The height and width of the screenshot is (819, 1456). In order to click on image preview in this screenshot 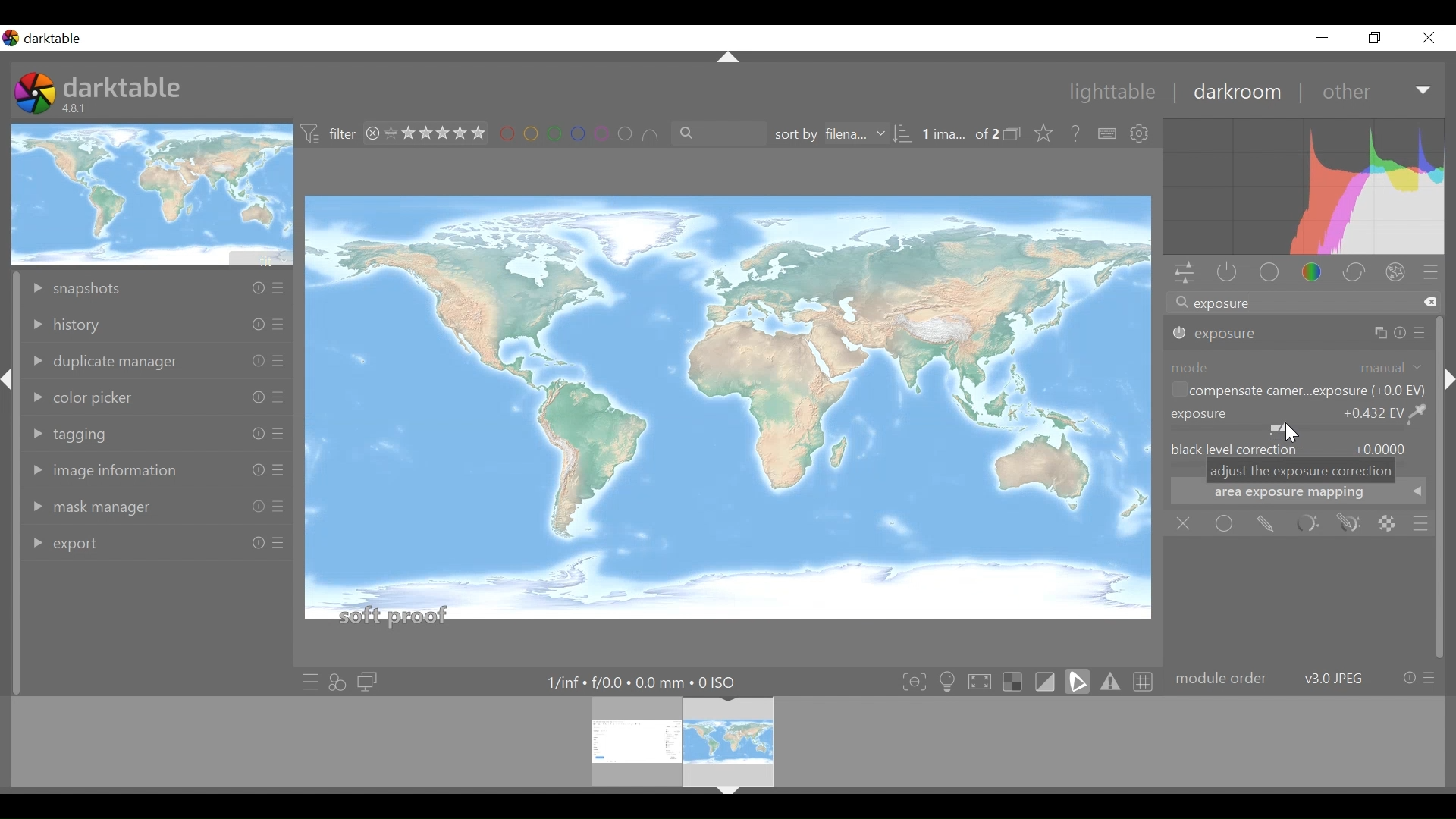, I will do `click(154, 193)`.